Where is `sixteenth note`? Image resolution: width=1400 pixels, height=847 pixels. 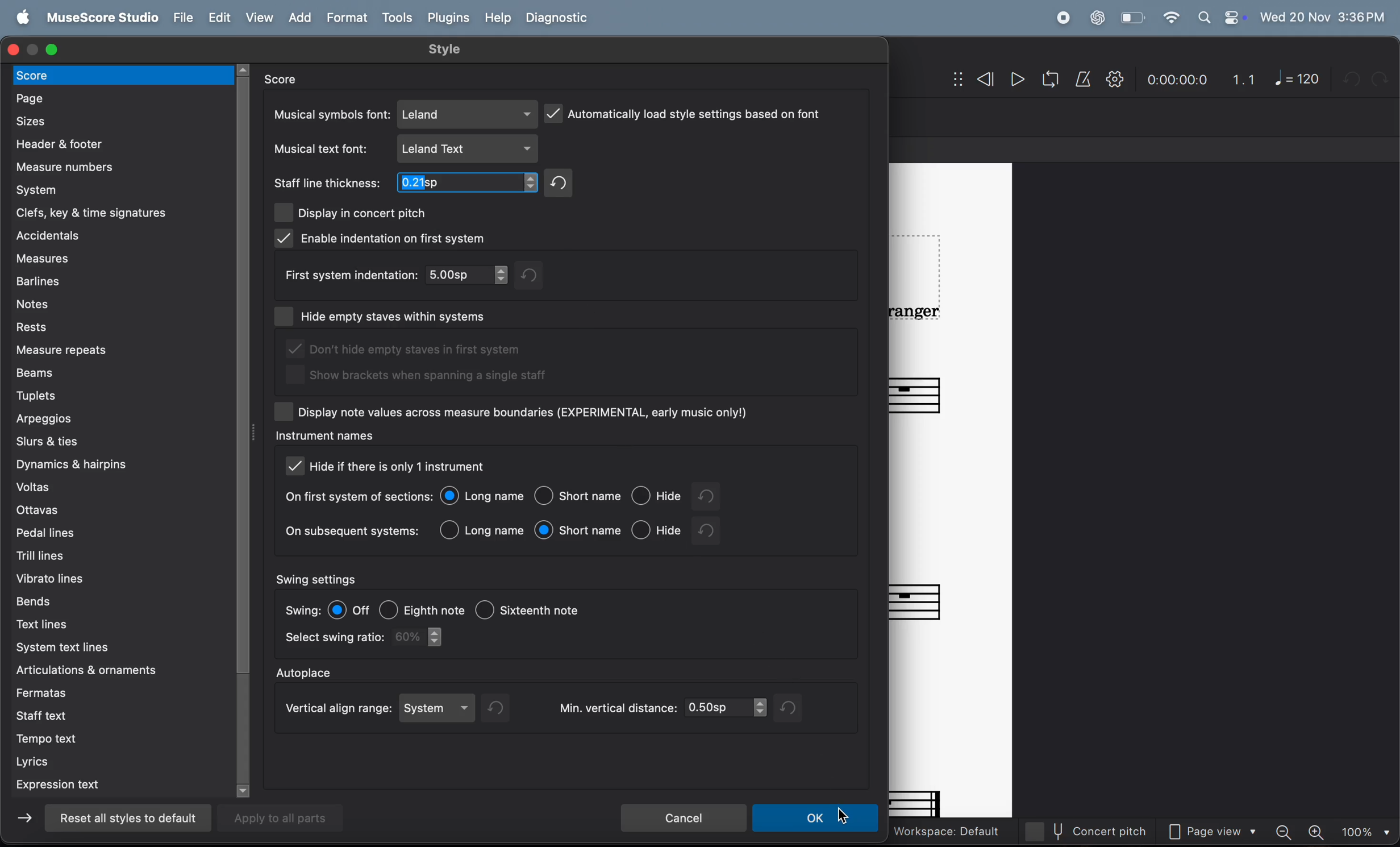
sixteenth note is located at coordinates (550, 612).